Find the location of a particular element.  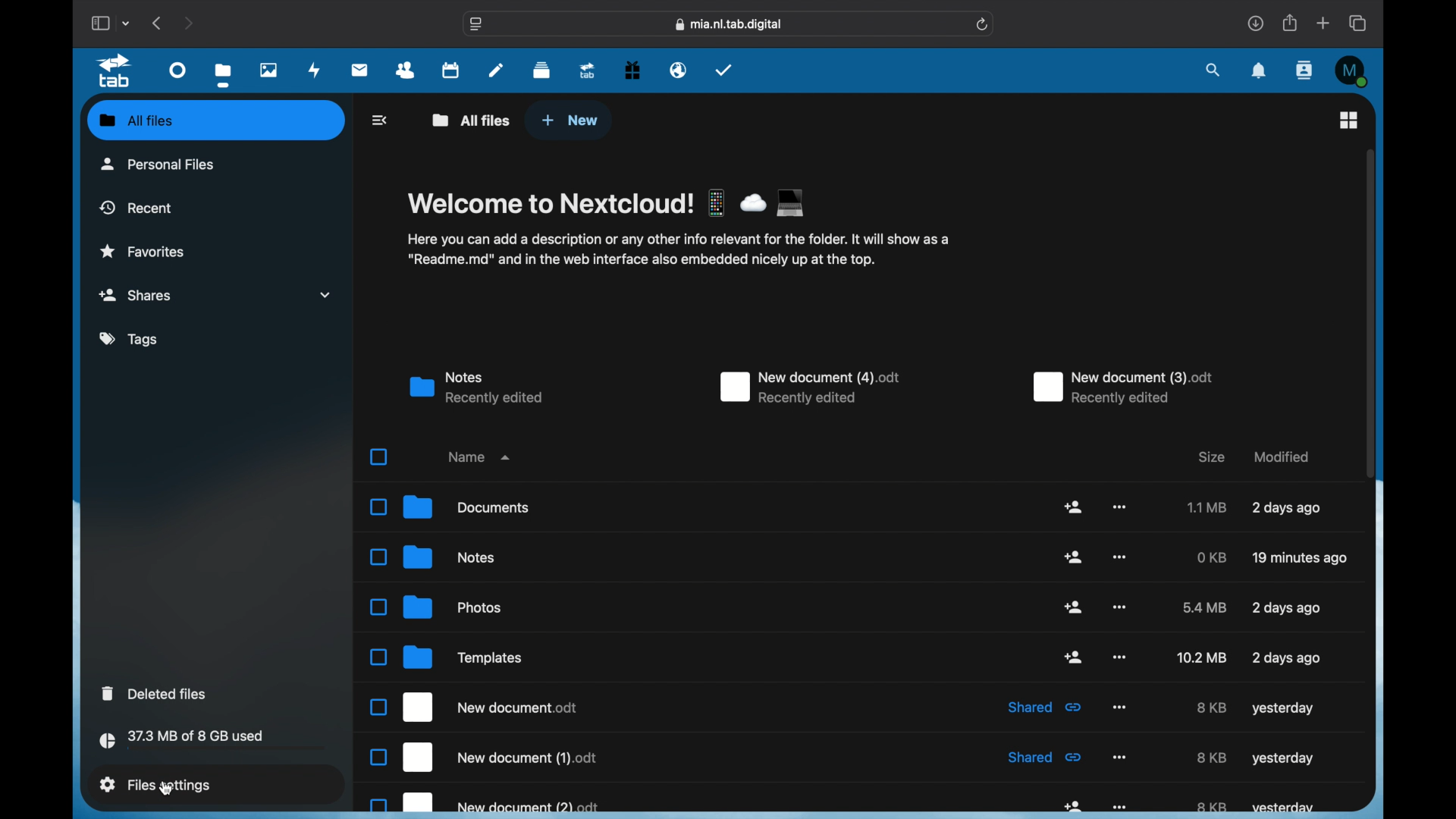

modified is located at coordinates (1286, 607).